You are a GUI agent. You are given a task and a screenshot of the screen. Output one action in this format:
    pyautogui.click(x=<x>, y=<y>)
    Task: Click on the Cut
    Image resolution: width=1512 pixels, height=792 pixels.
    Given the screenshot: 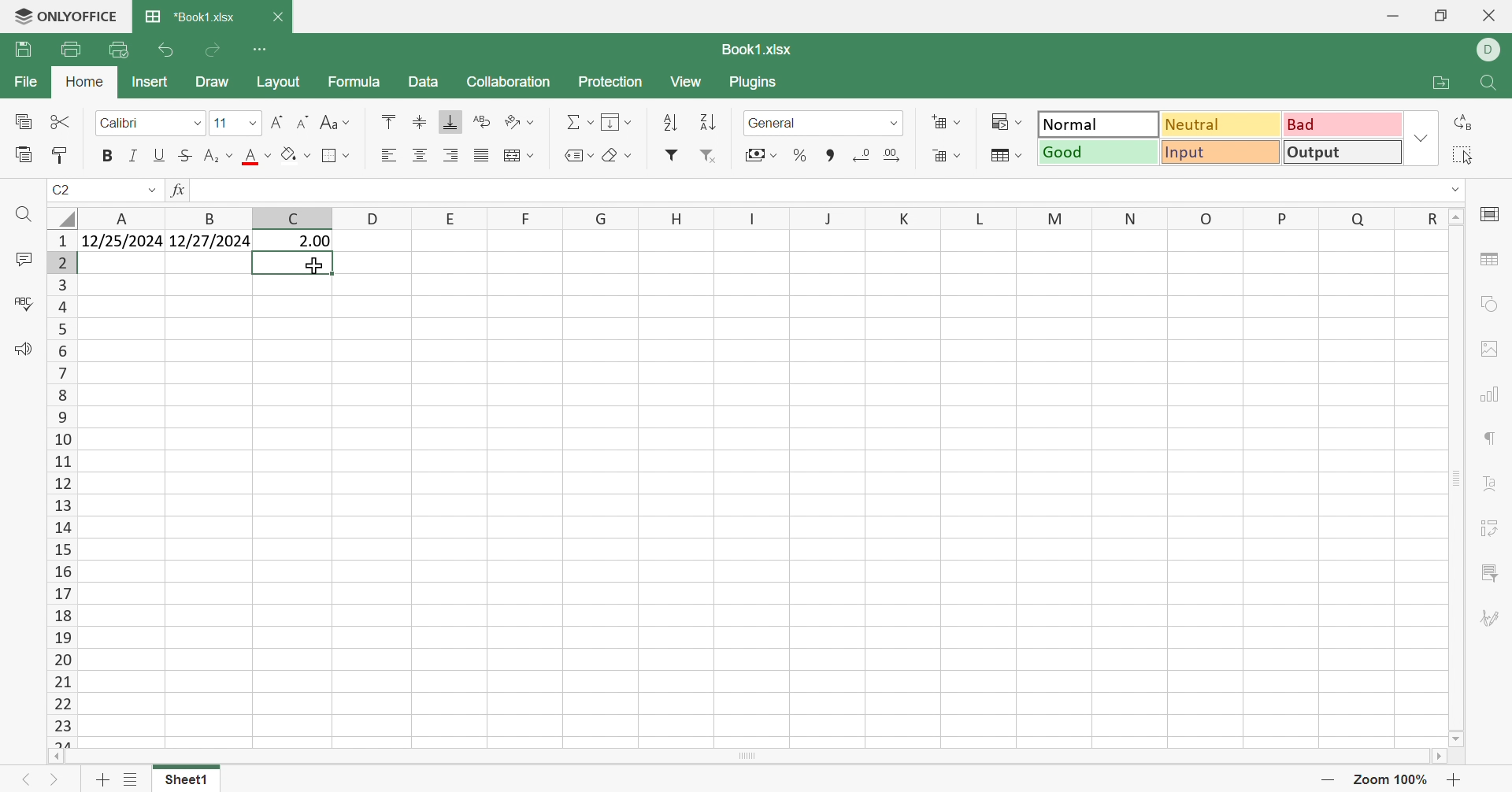 What is the action you would take?
    pyautogui.click(x=63, y=124)
    